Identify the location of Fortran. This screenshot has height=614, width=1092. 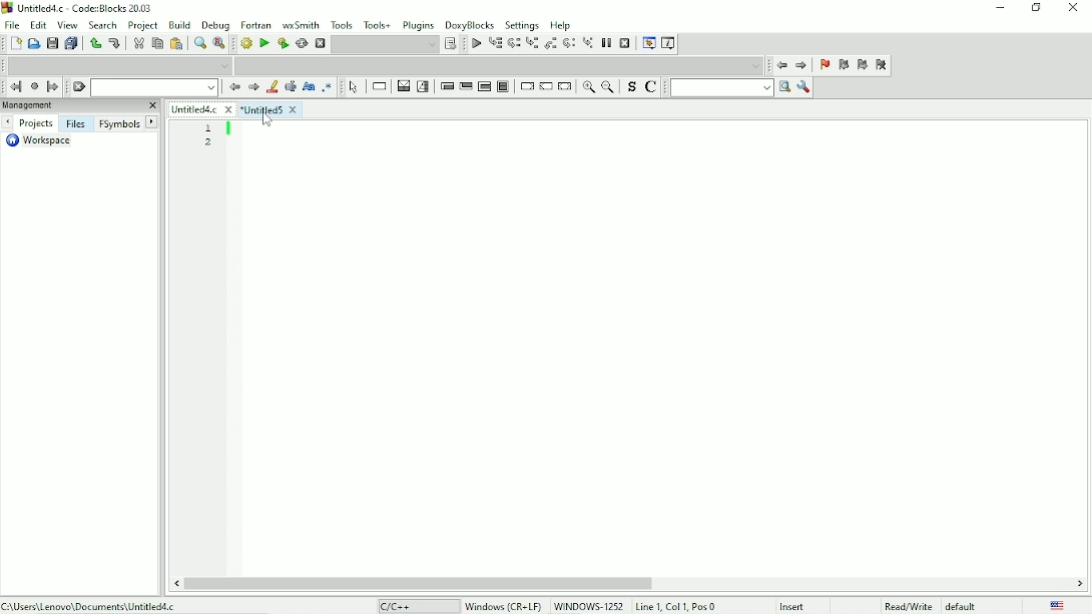
(256, 26).